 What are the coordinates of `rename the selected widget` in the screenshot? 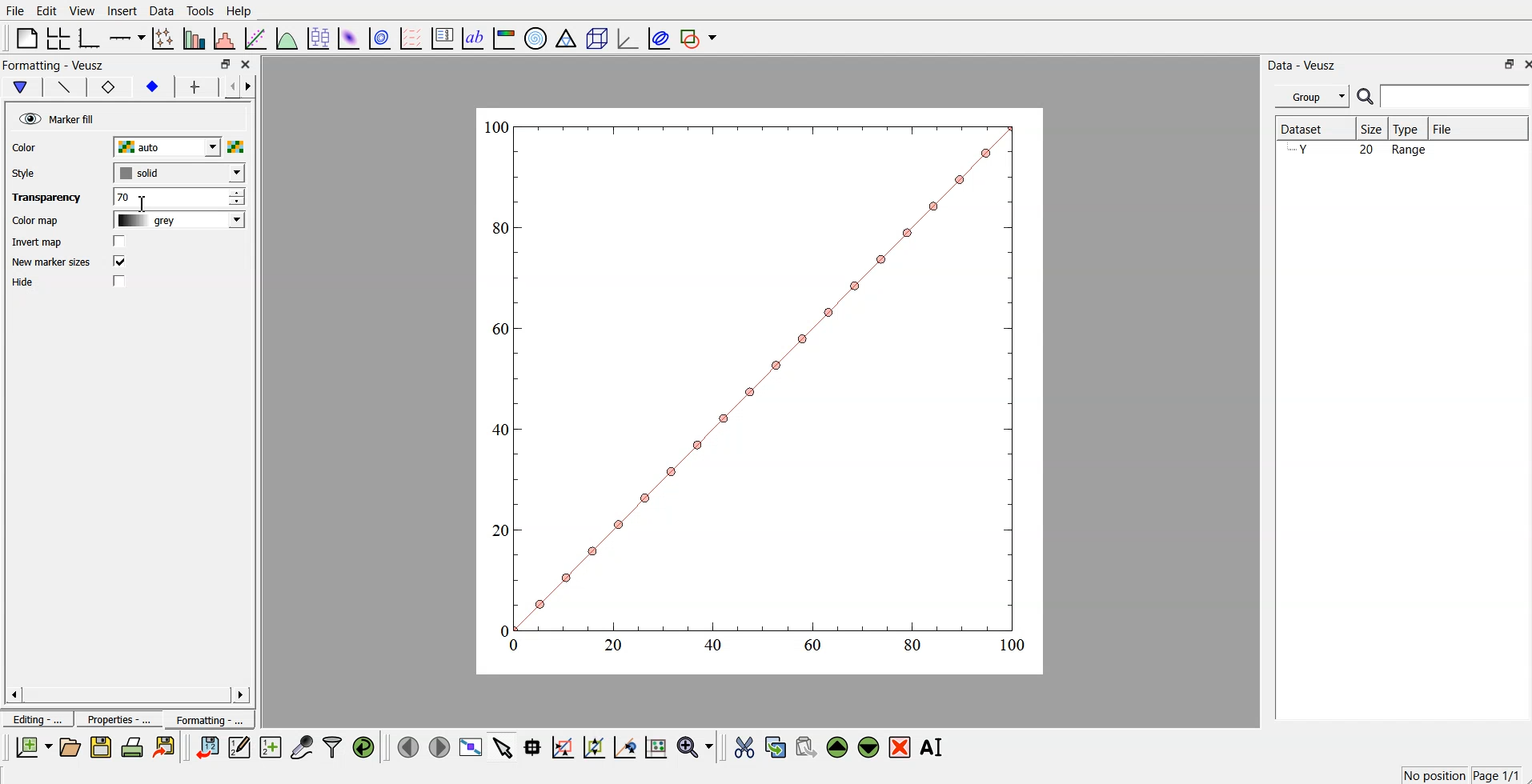 It's located at (932, 747).